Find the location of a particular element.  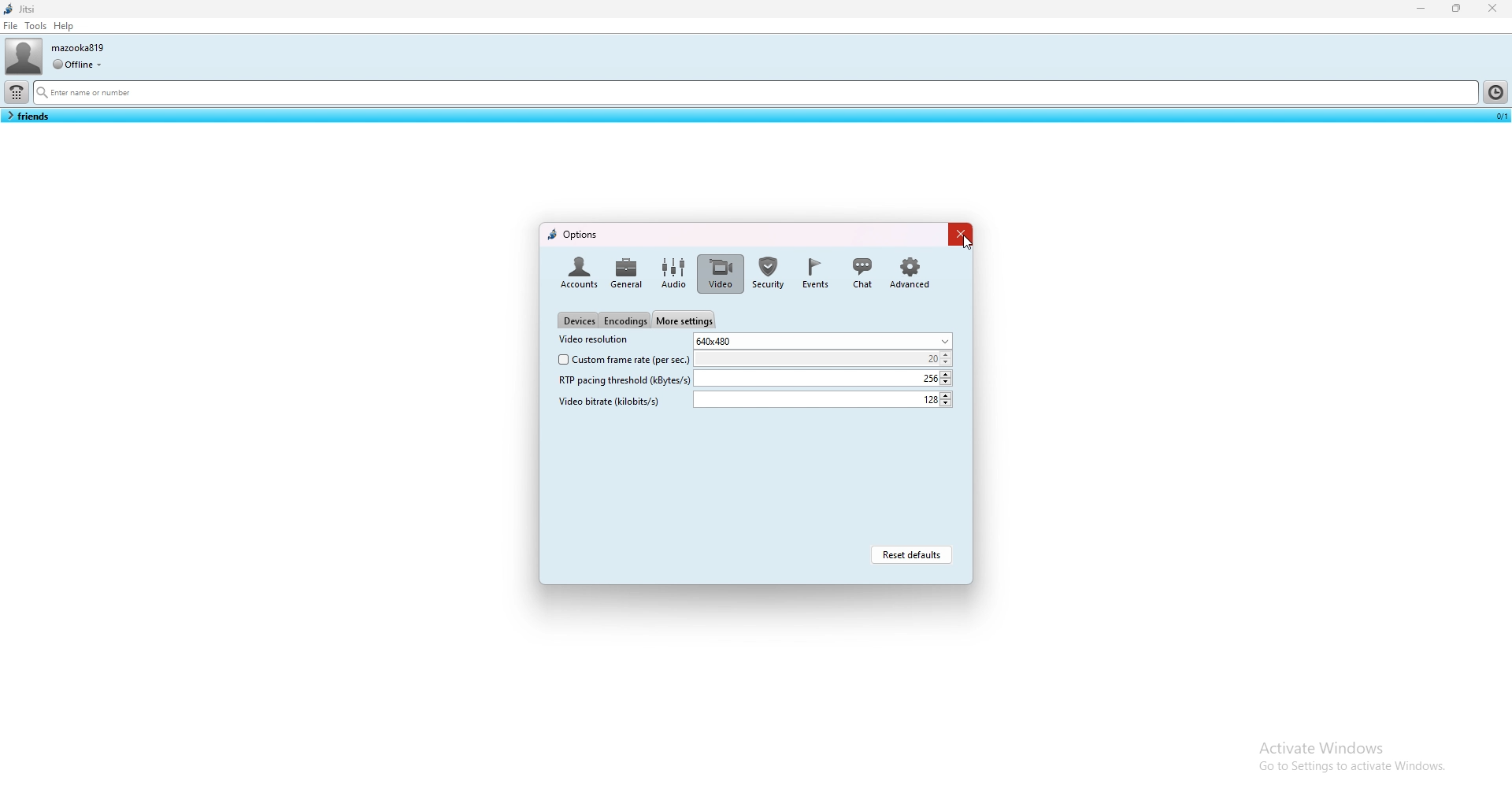

Encodings is located at coordinates (625, 321).